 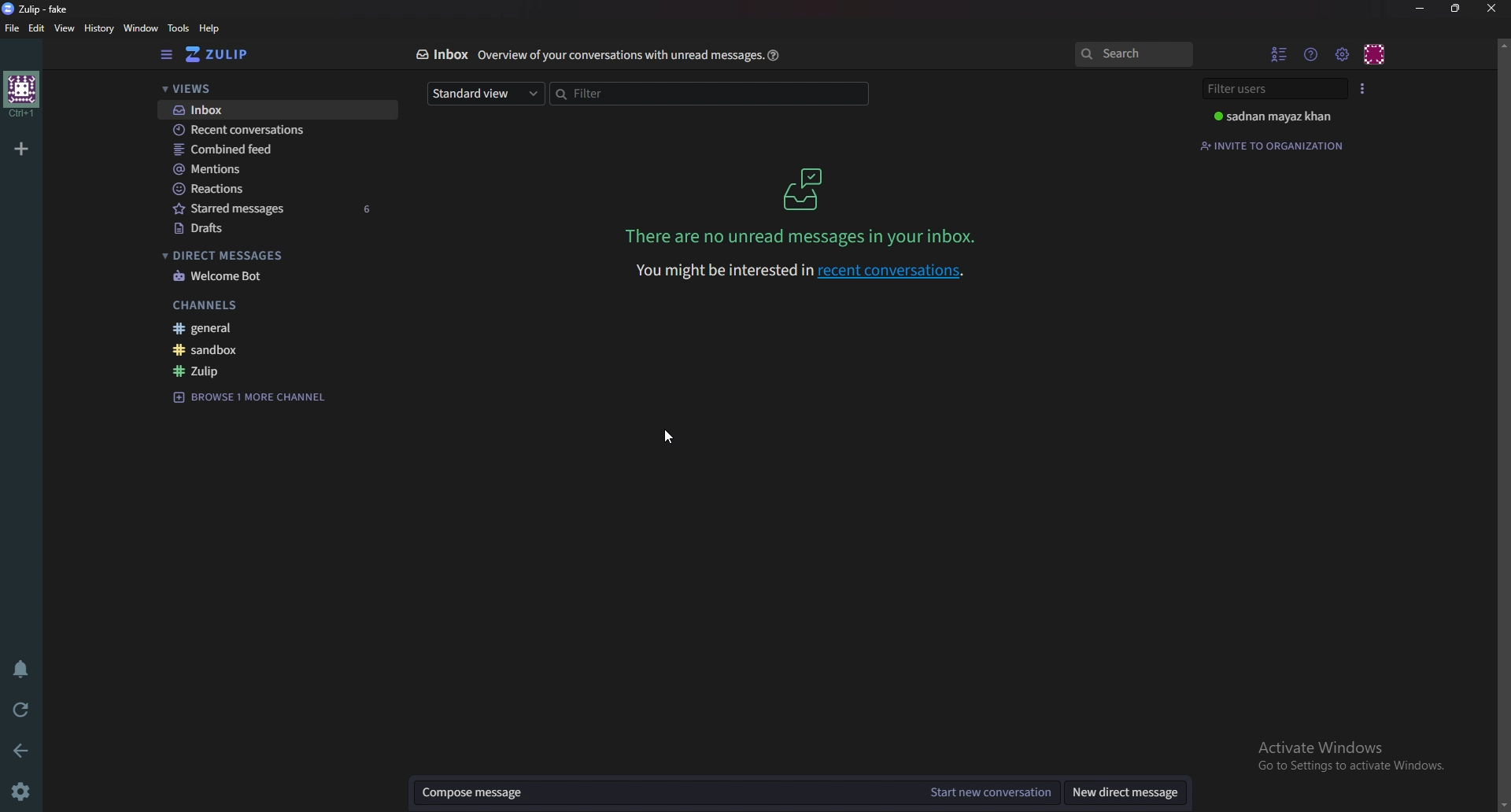 What do you see at coordinates (274, 87) in the screenshot?
I see `Views` at bounding box center [274, 87].